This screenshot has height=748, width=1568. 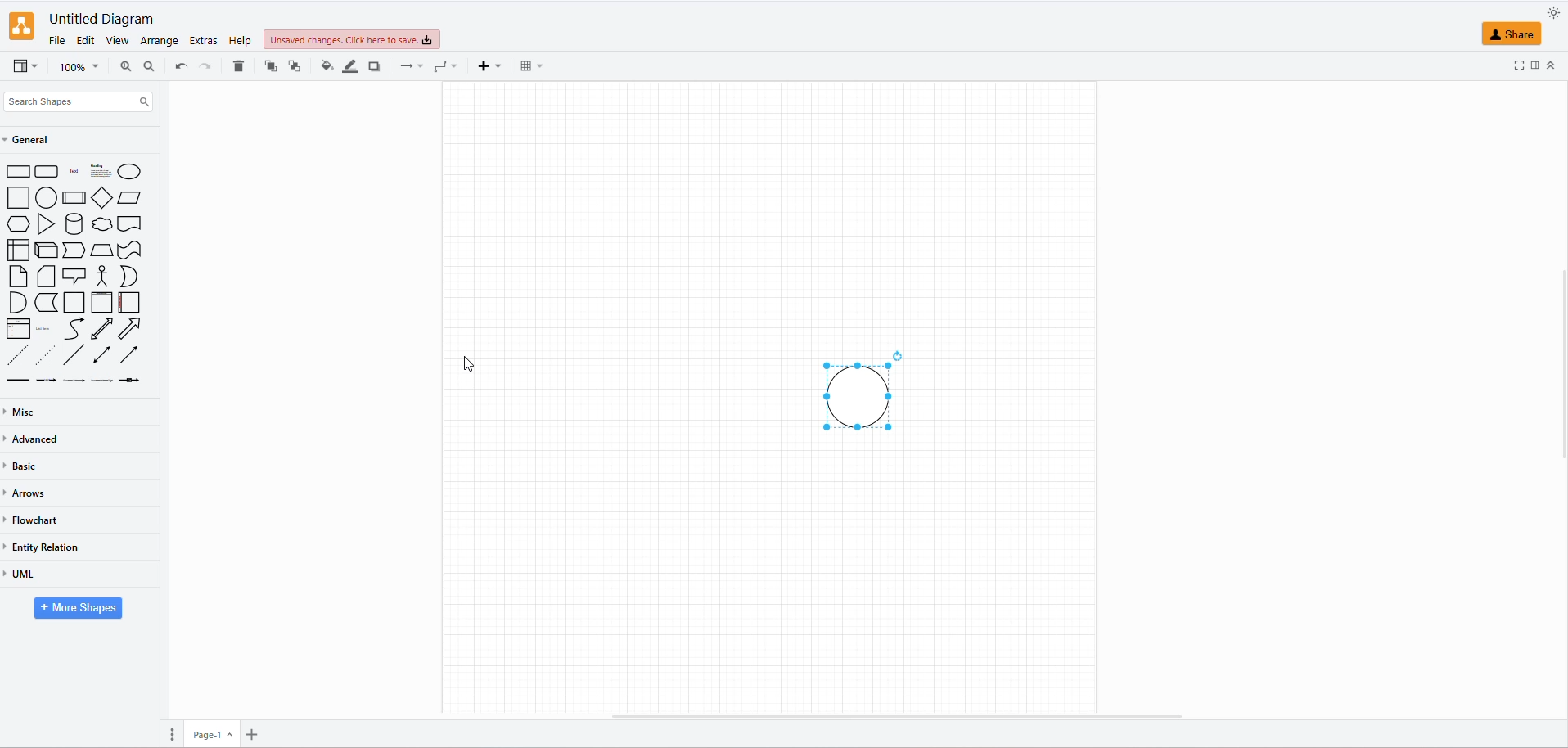 What do you see at coordinates (125, 276) in the screenshot?
I see `OR` at bounding box center [125, 276].